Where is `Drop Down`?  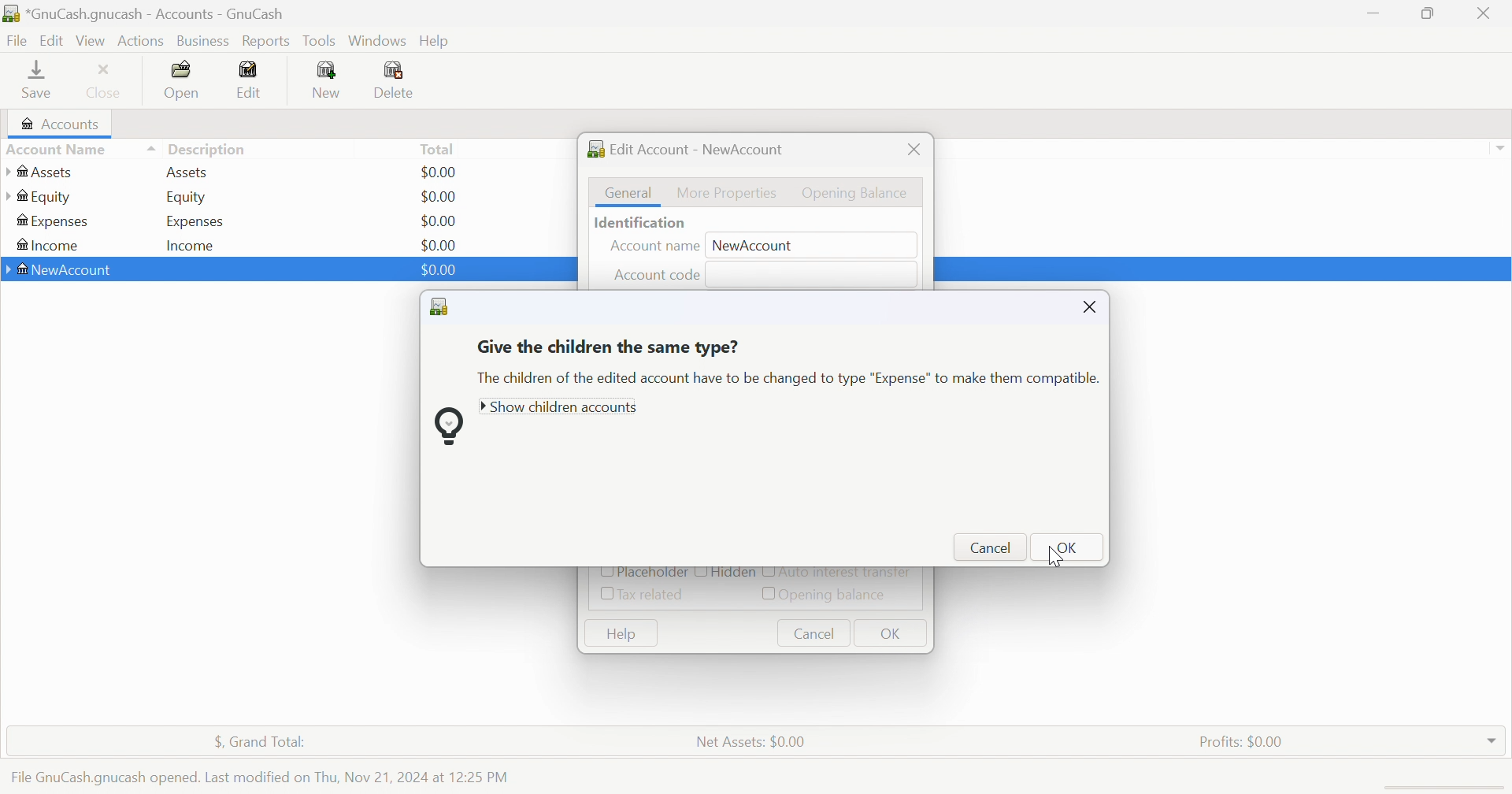 Drop Down is located at coordinates (1499, 148).